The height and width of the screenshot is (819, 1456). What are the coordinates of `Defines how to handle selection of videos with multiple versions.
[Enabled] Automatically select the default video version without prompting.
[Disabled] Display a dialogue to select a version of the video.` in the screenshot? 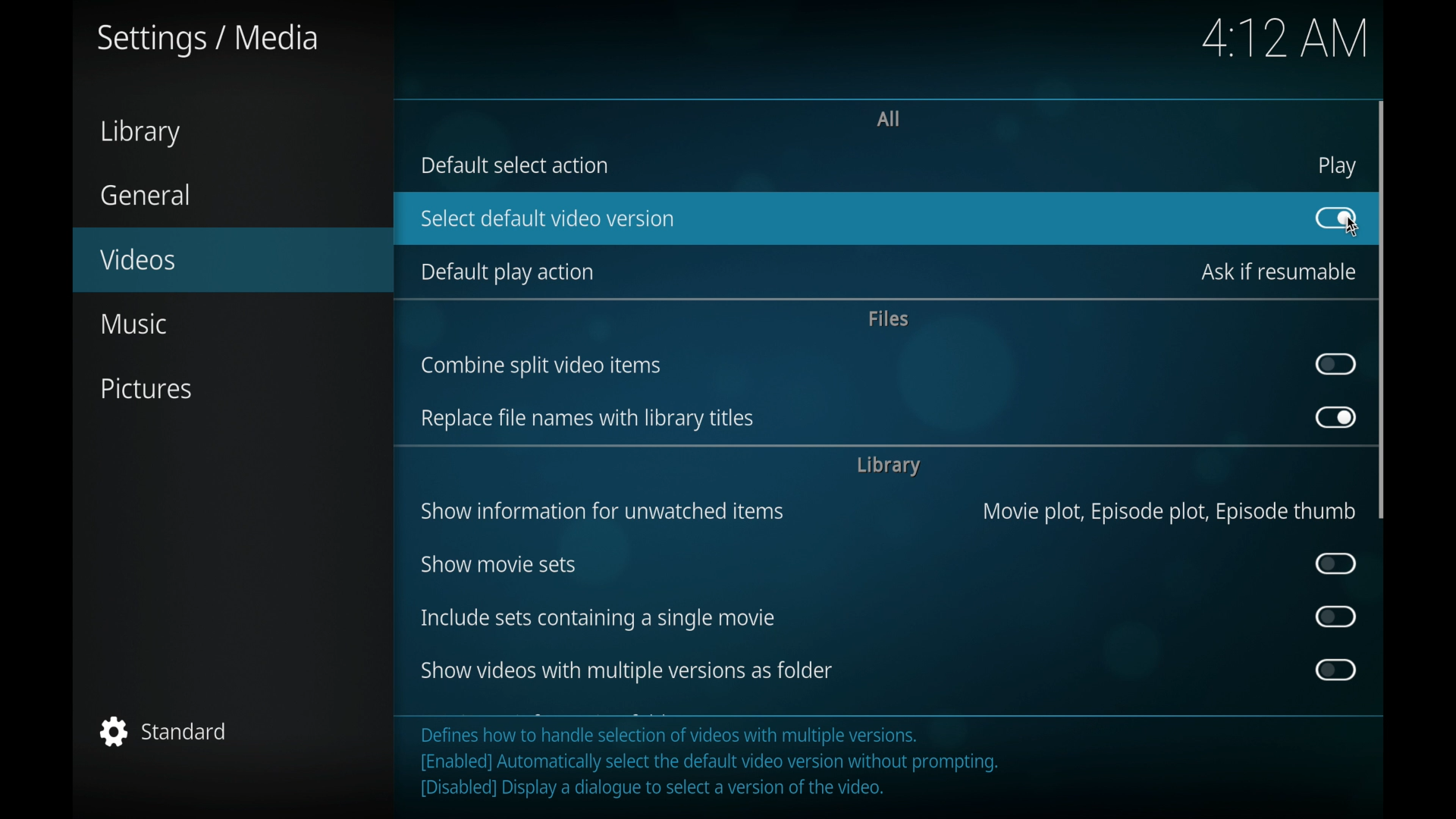 It's located at (726, 767).